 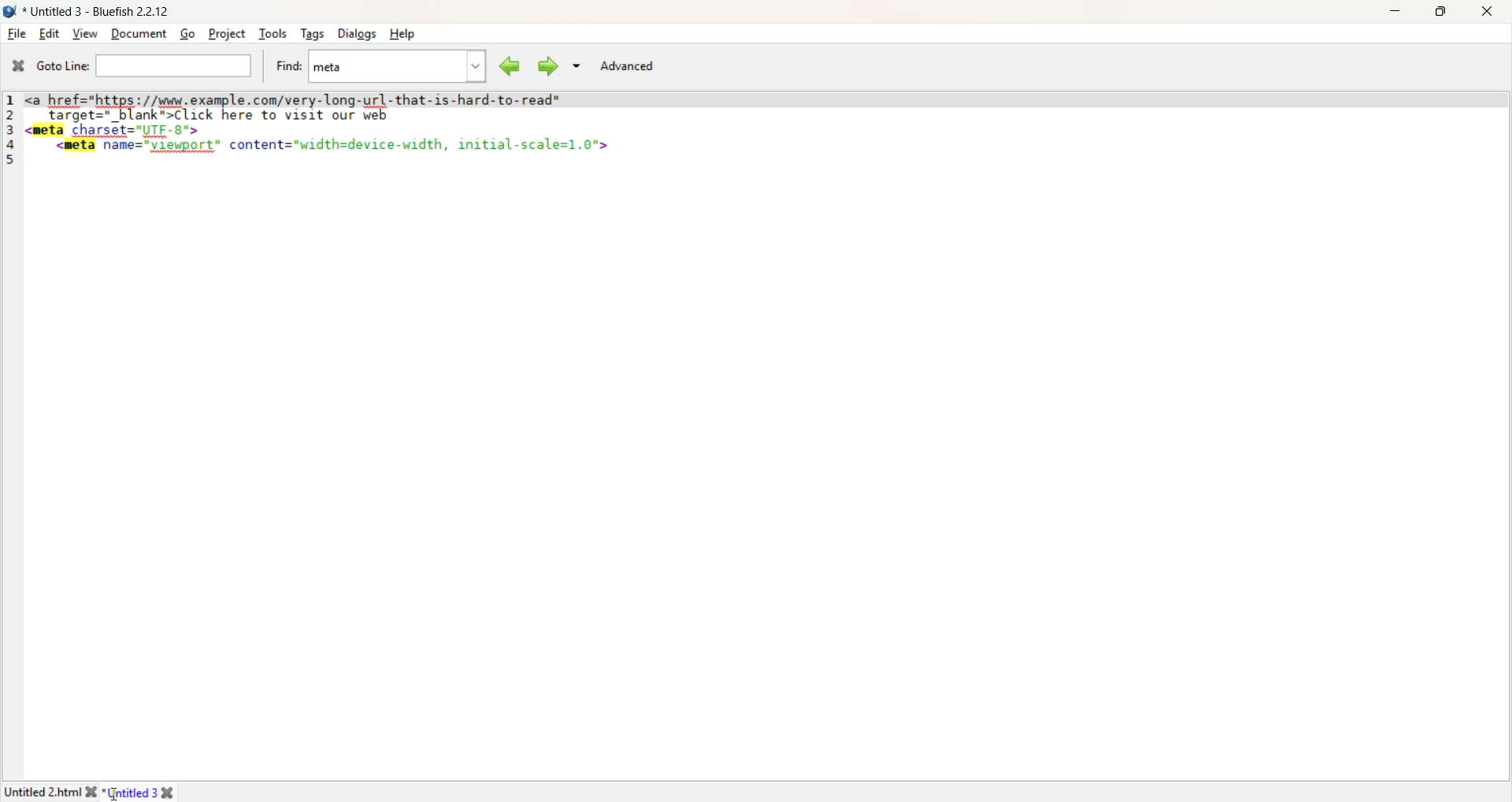 I want to click on Go, so click(x=185, y=35).